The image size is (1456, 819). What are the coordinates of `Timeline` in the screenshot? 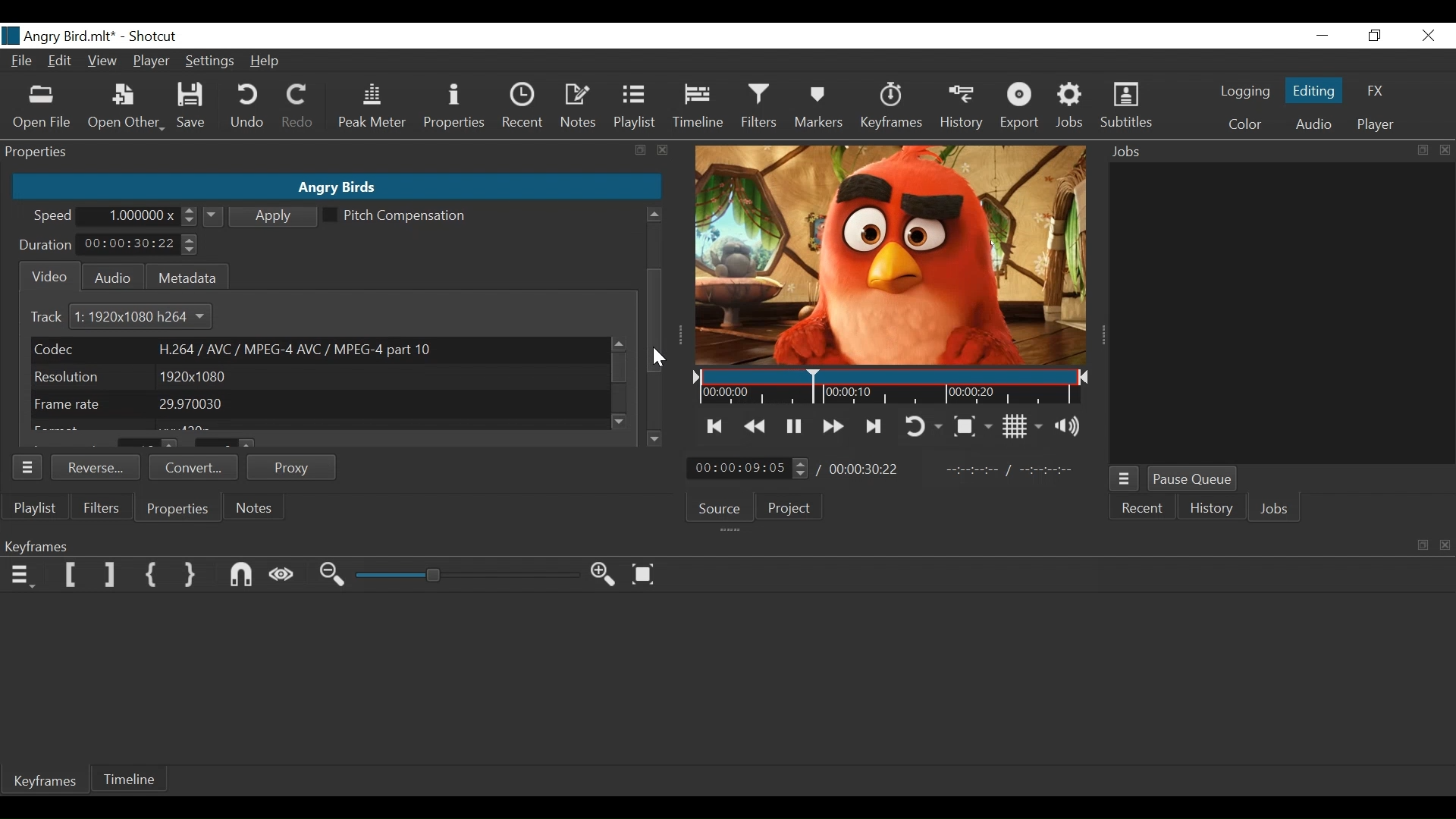 It's located at (893, 388).